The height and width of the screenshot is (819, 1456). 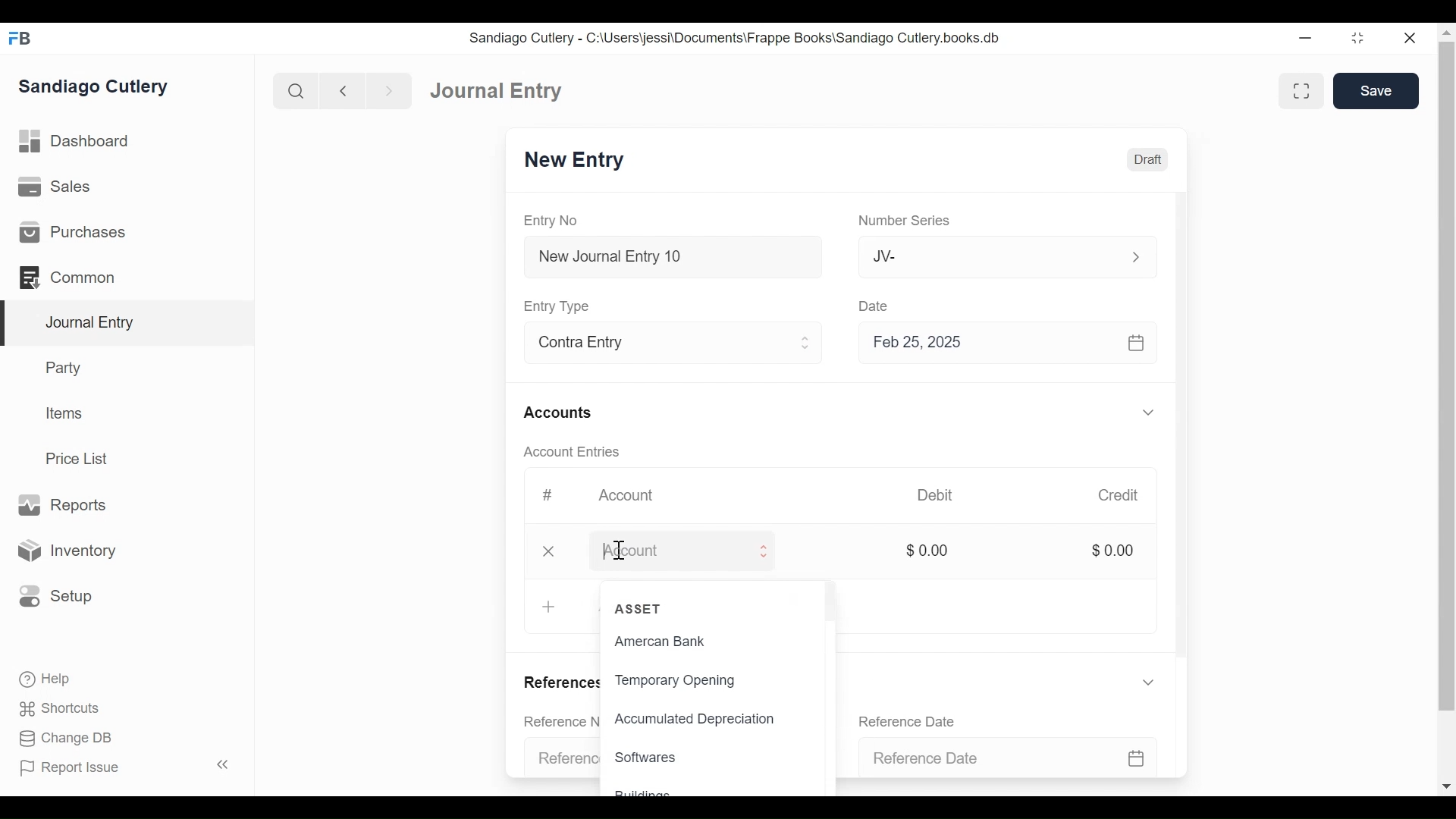 I want to click on Expand, so click(x=1149, y=686).